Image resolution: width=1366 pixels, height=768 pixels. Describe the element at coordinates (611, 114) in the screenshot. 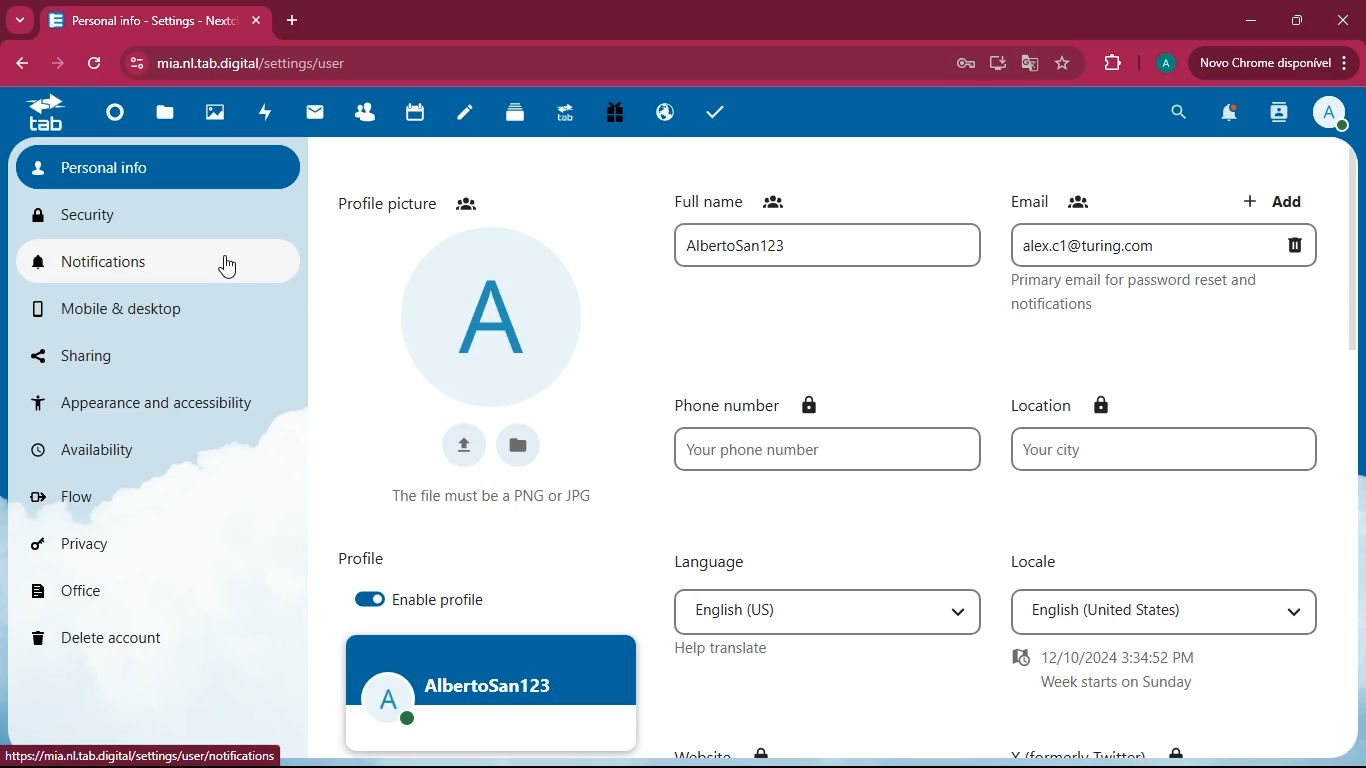

I see `gift` at that location.